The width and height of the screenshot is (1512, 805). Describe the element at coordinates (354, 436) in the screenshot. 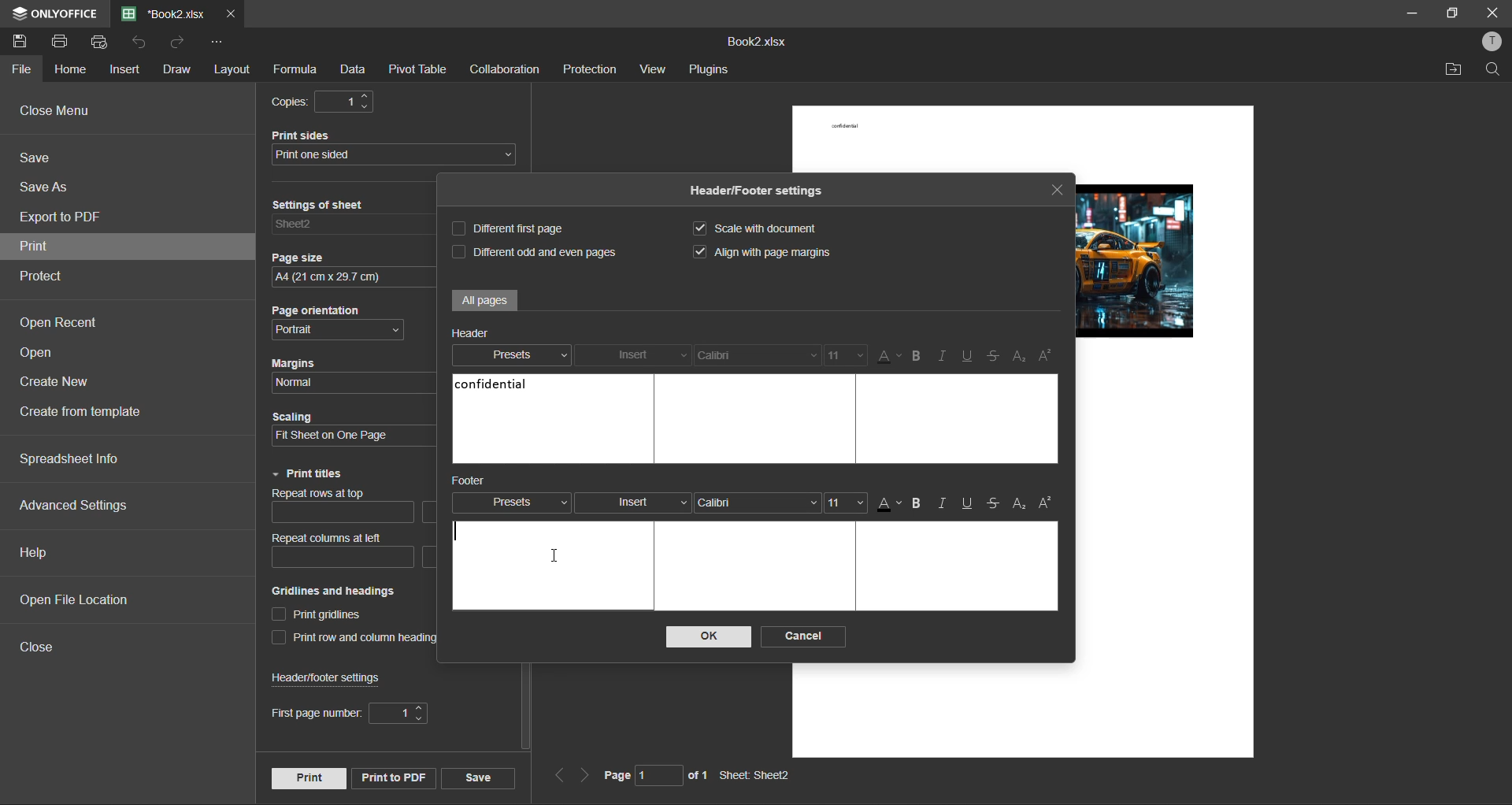

I see `scaling` at that location.